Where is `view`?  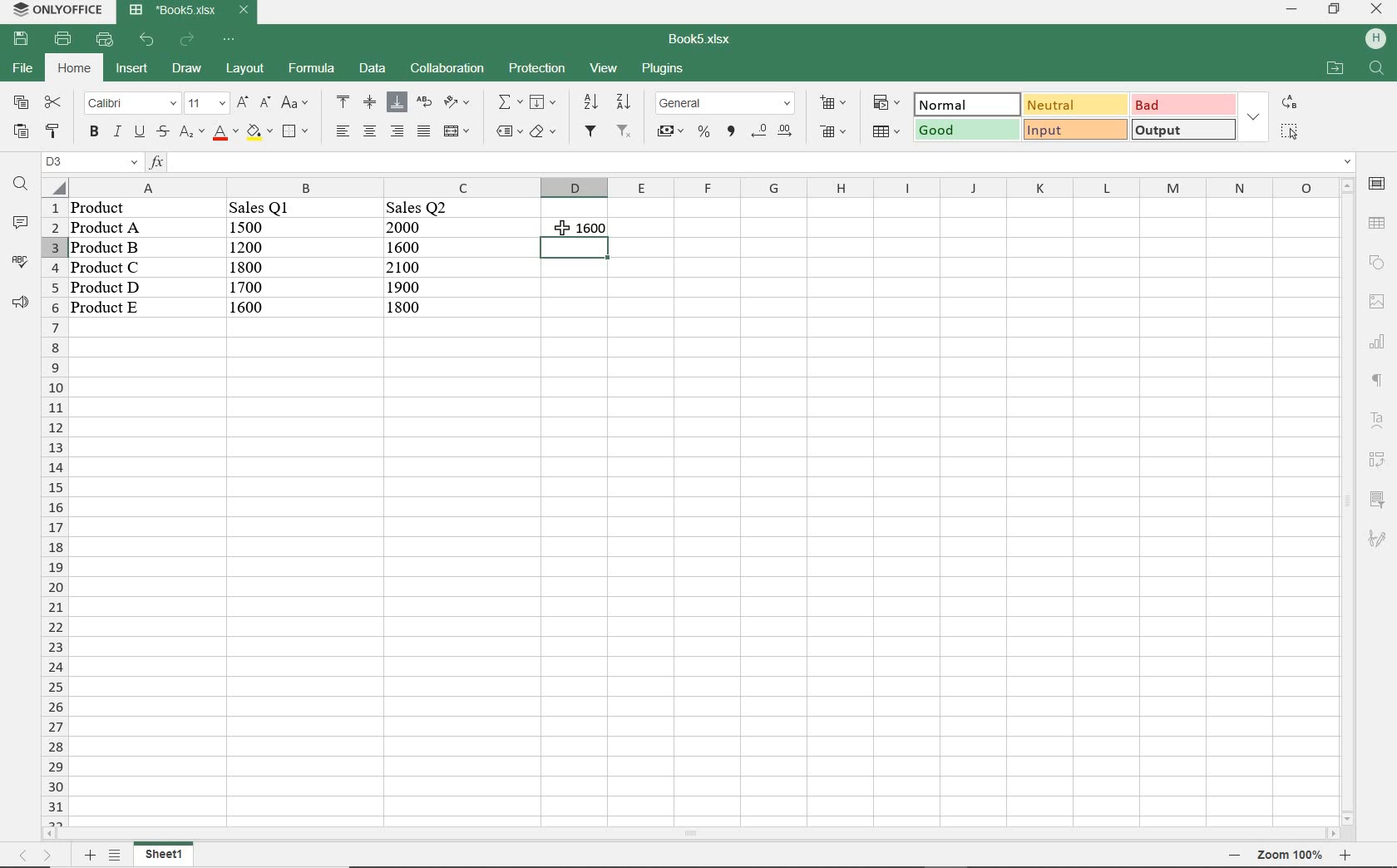
view is located at coordinates (604, 68).